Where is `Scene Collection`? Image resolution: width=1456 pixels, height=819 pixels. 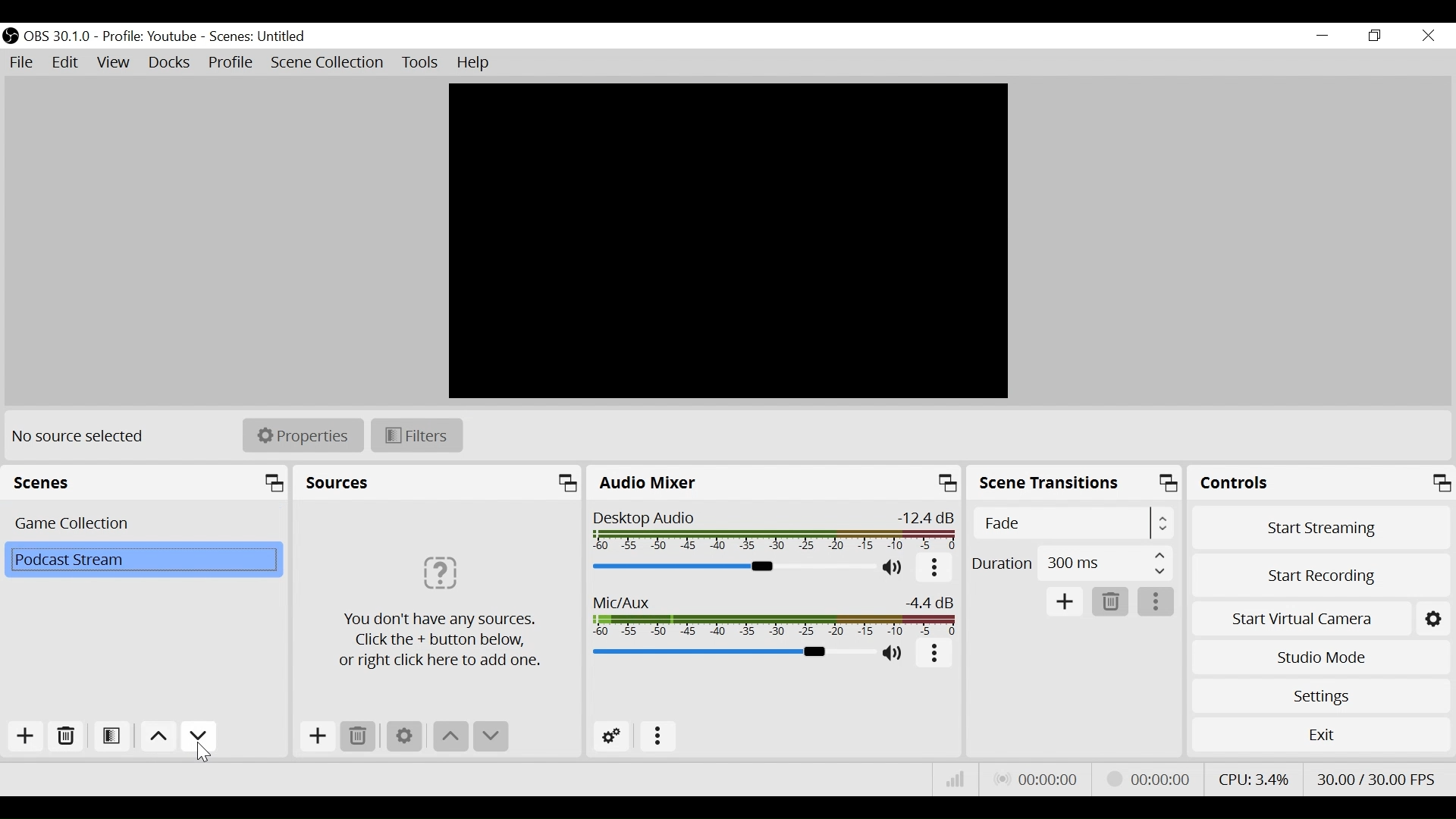 Scene Collection is located at coordinates (329, 63).